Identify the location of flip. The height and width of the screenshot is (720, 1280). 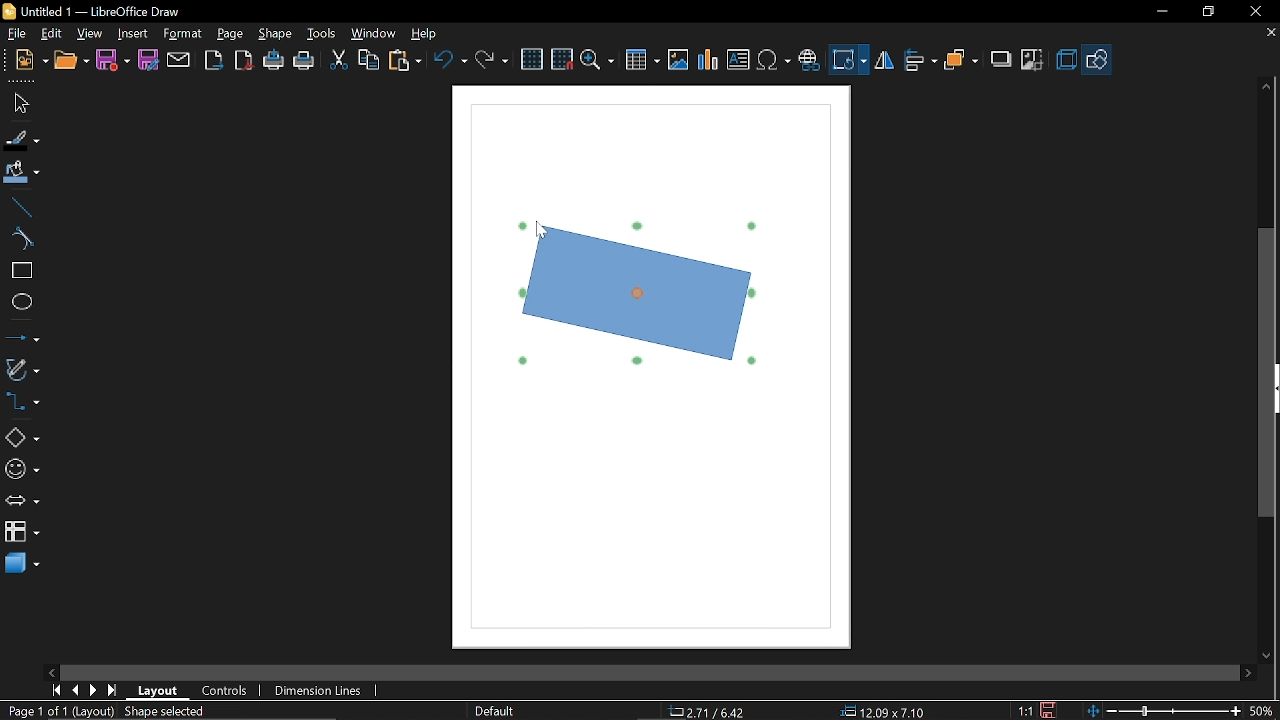
(884, 62).